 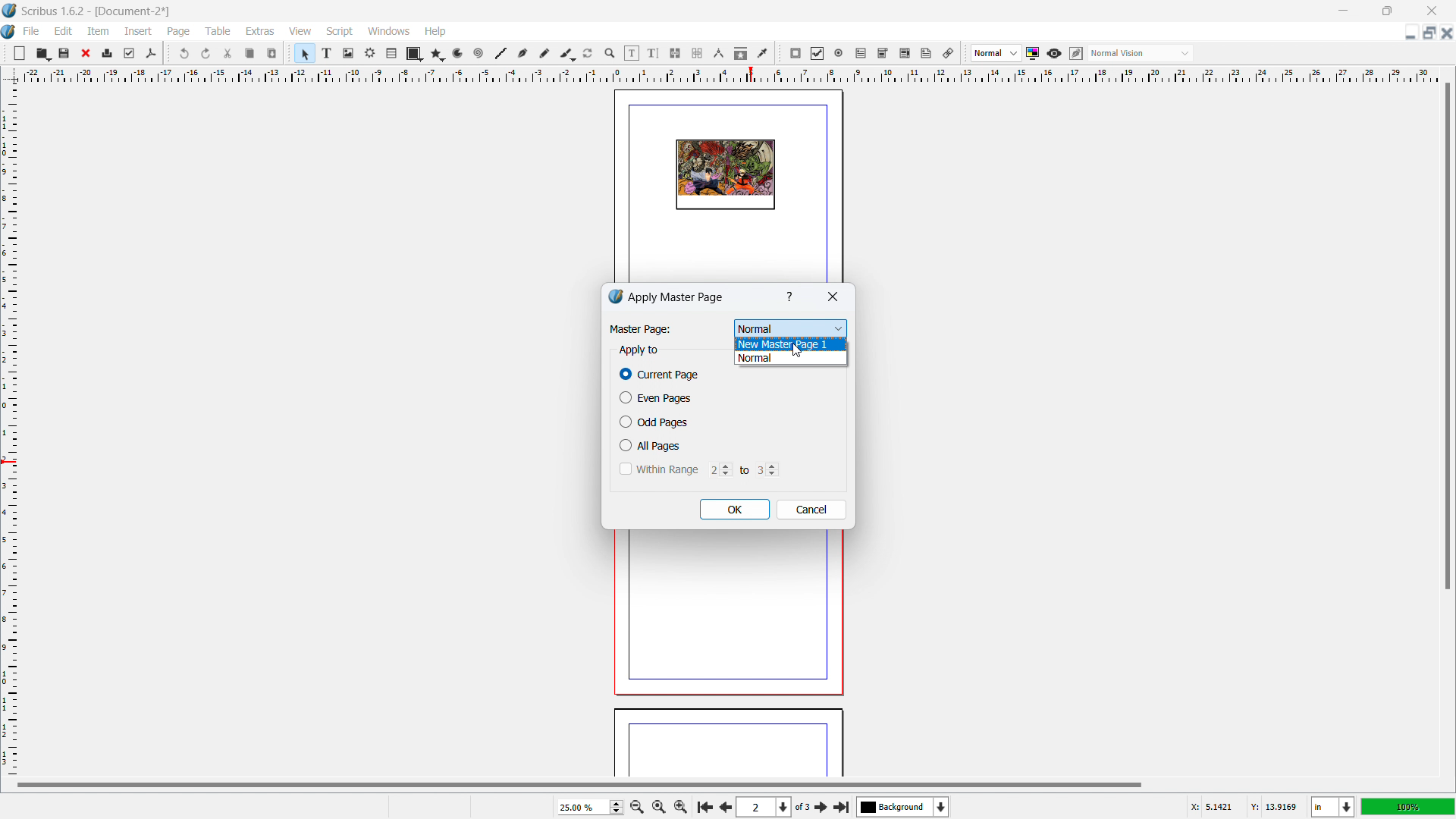 What do you see at coordinates (791, 297) in the screenshot?
I see `help` at bounding box center [791, 297].